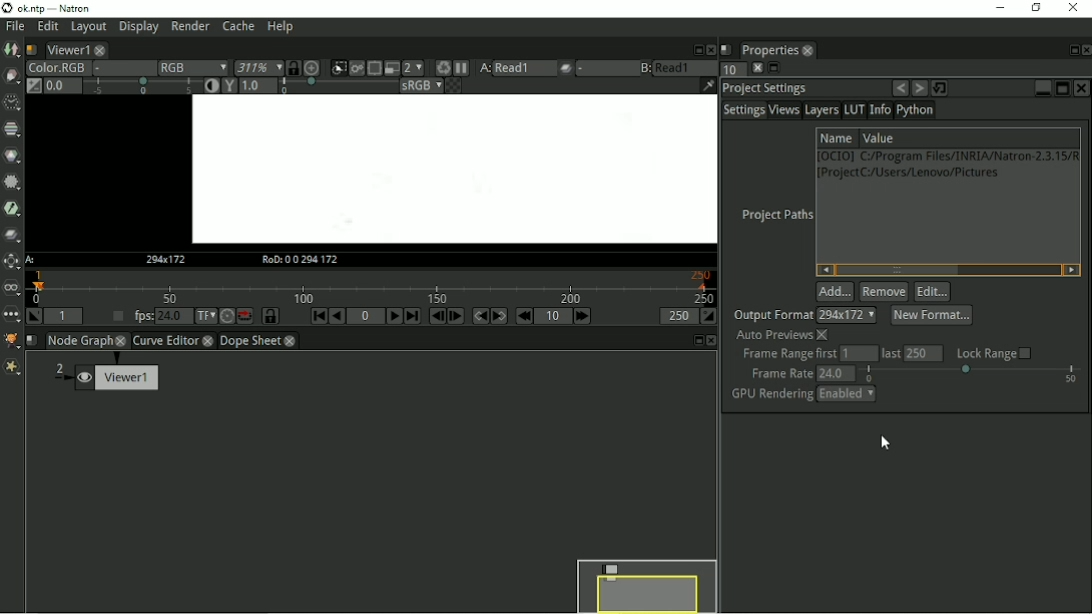  Describe the element at coordinates (883, 292) in the screenshot. I see `Remove` at that location.